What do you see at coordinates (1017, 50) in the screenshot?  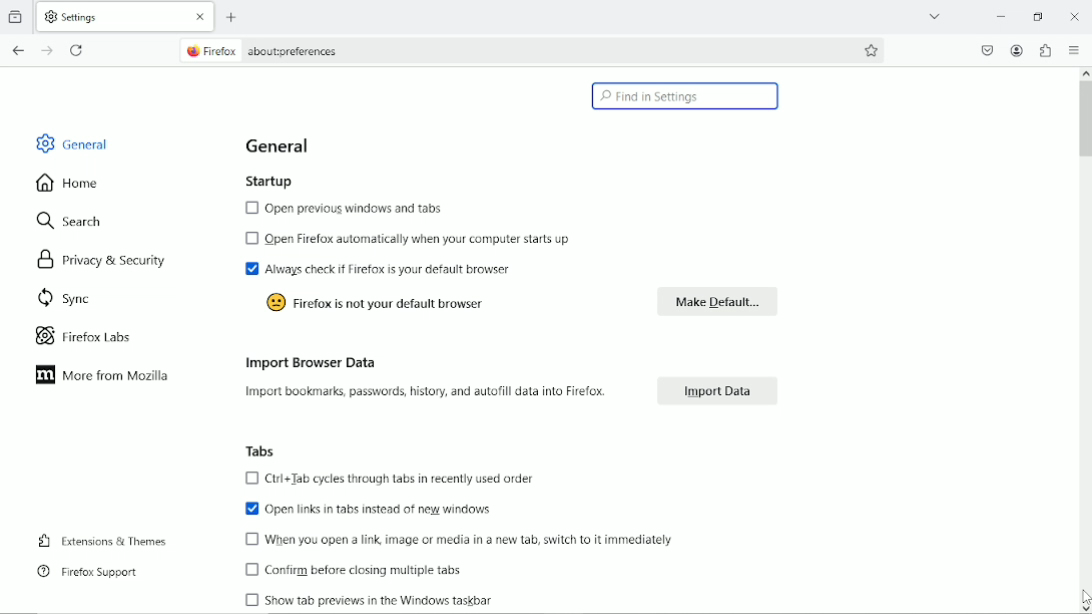 I see `account` at bounding box center [1017, 50].